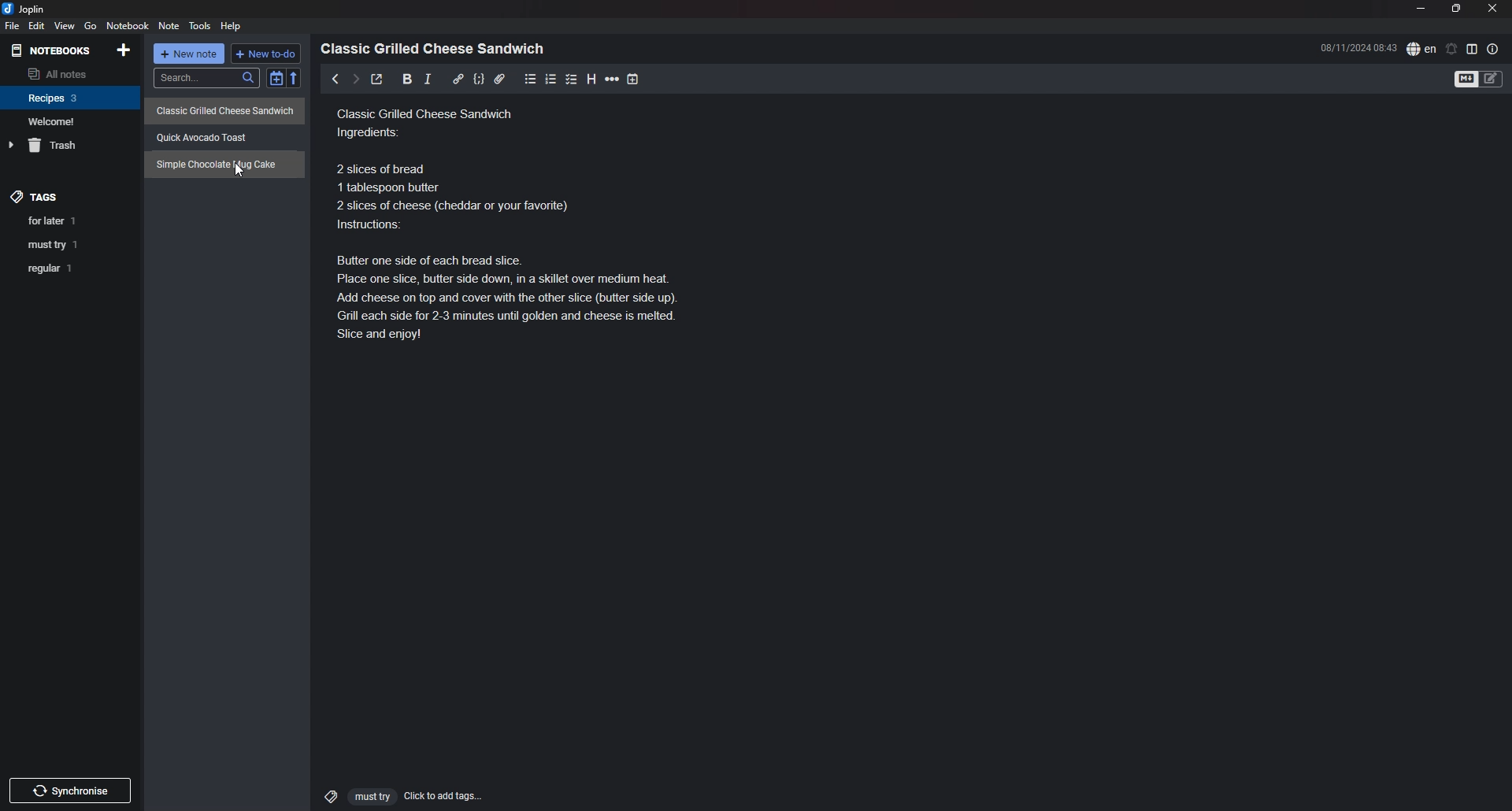  Describe the element at coordinates (239, 171) in the screenshot. I see `cursor` at that location.